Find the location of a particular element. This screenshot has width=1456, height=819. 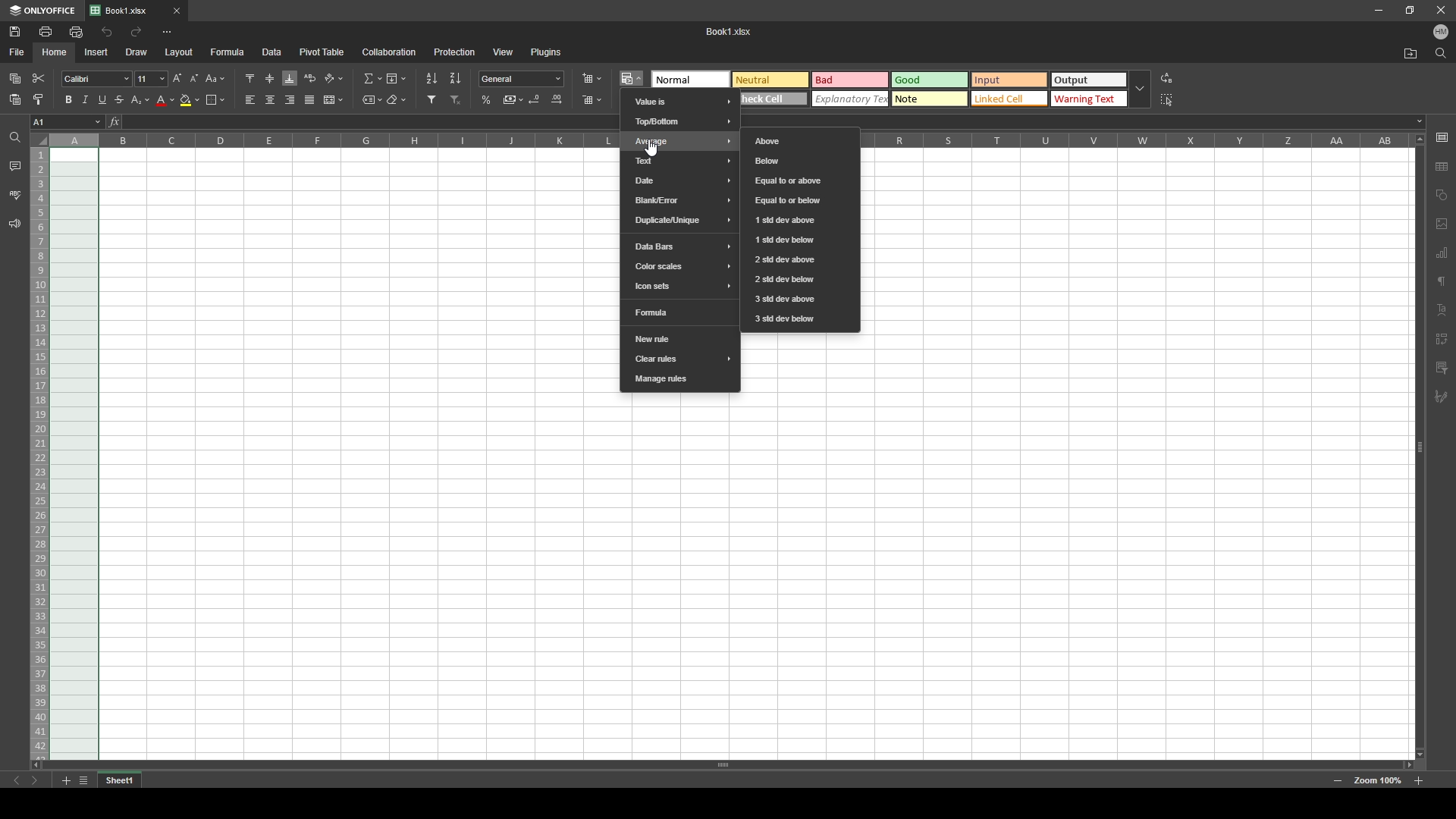

number format is located at coordinates (522, 78).